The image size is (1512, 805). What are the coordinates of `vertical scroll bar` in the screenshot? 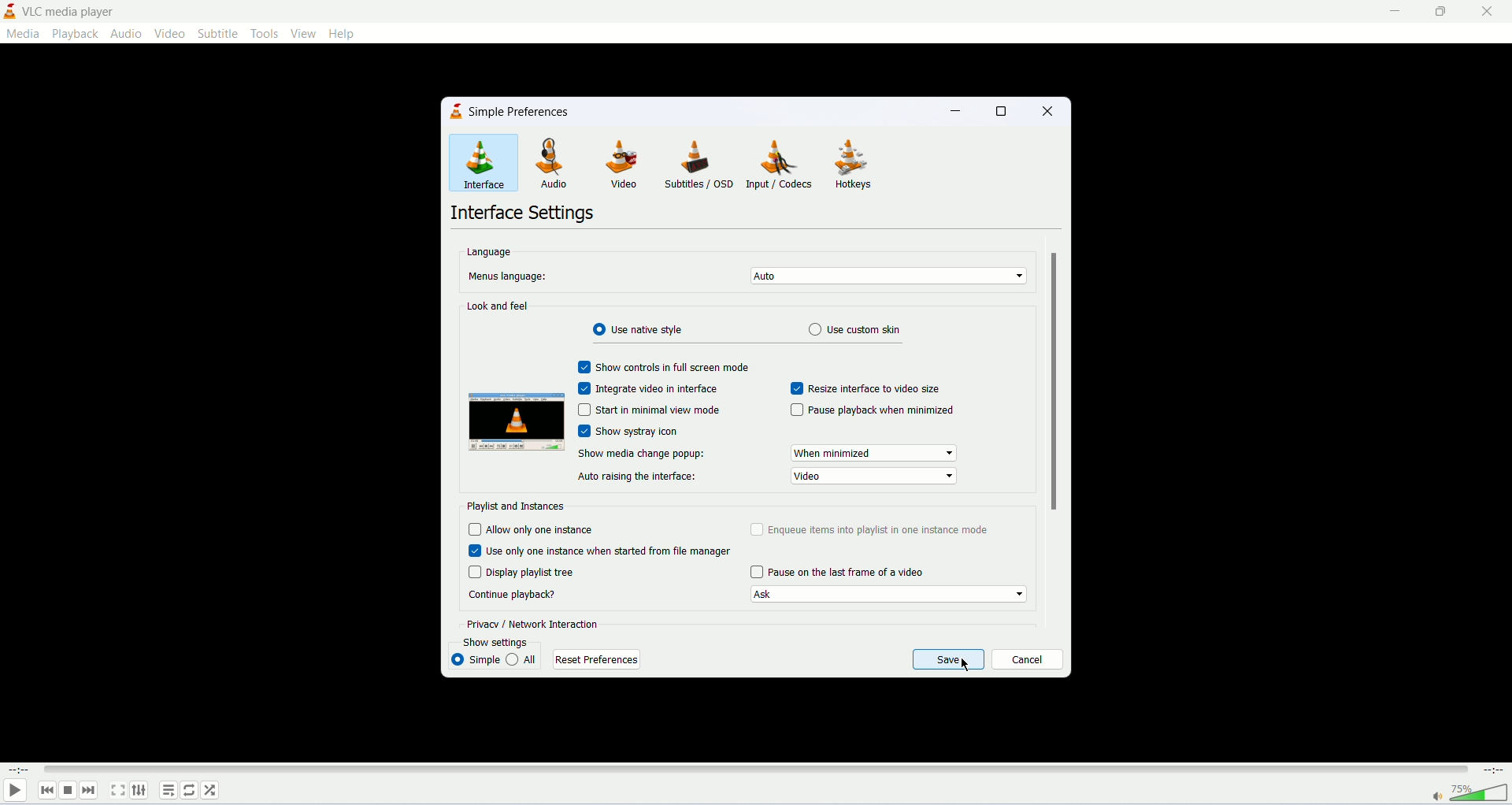 It's located at (1054, 380).